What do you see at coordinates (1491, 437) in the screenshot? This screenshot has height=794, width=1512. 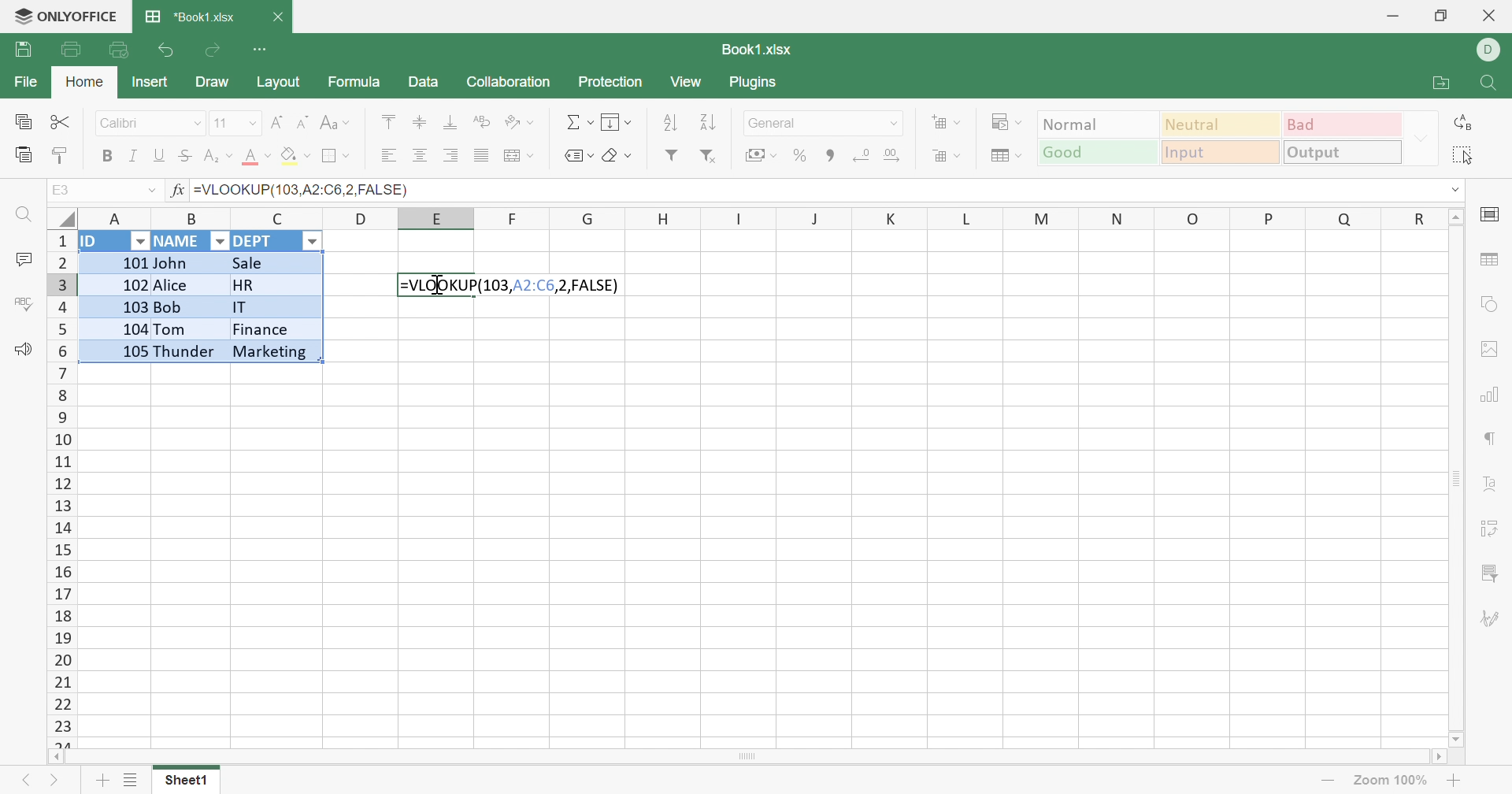 I see `Paragraph settings` at bounding box center [1491, 437].